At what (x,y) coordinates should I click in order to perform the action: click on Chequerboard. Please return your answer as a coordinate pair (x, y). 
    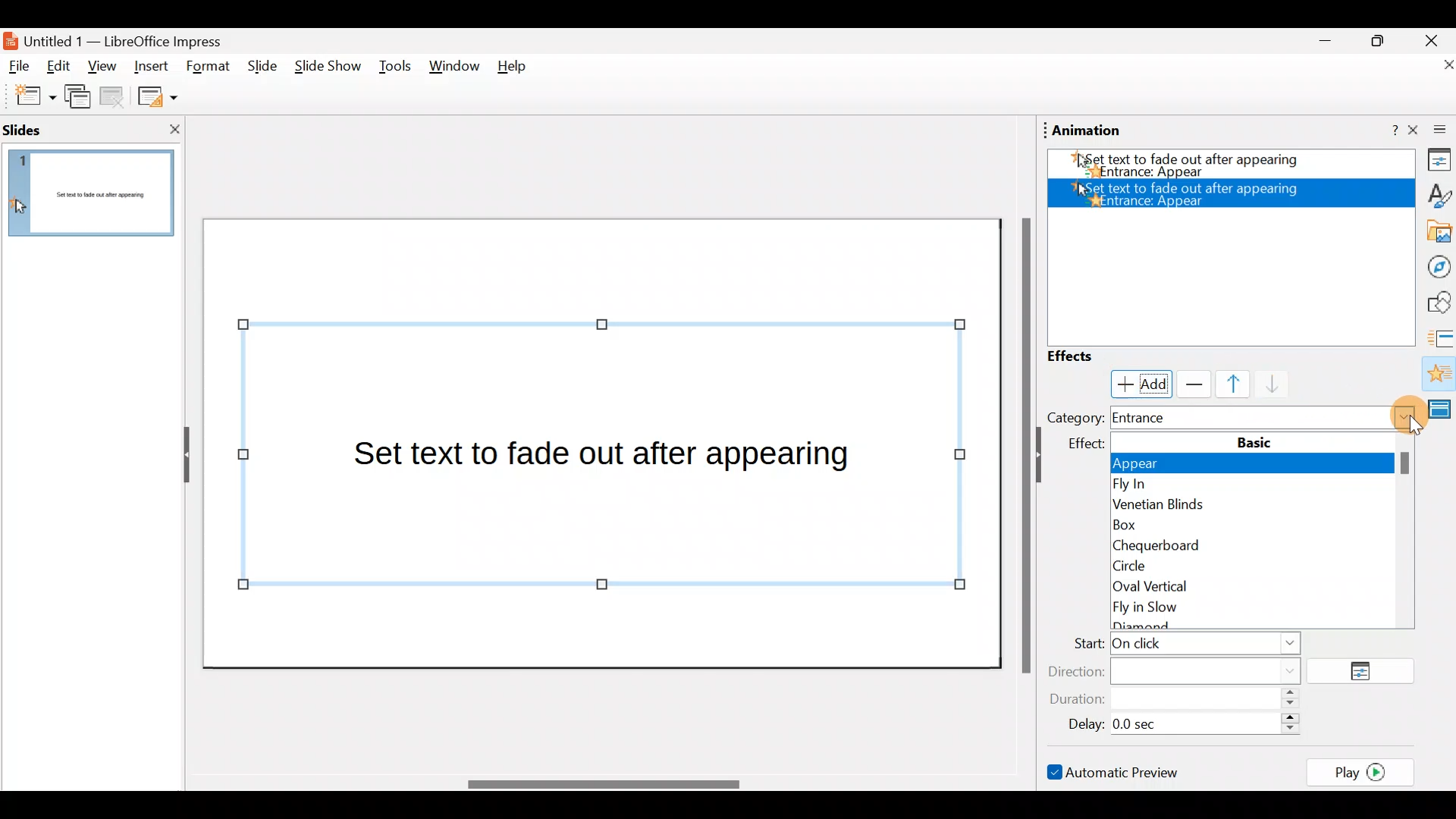
    Looking at the image, I should click on (1256, 544).